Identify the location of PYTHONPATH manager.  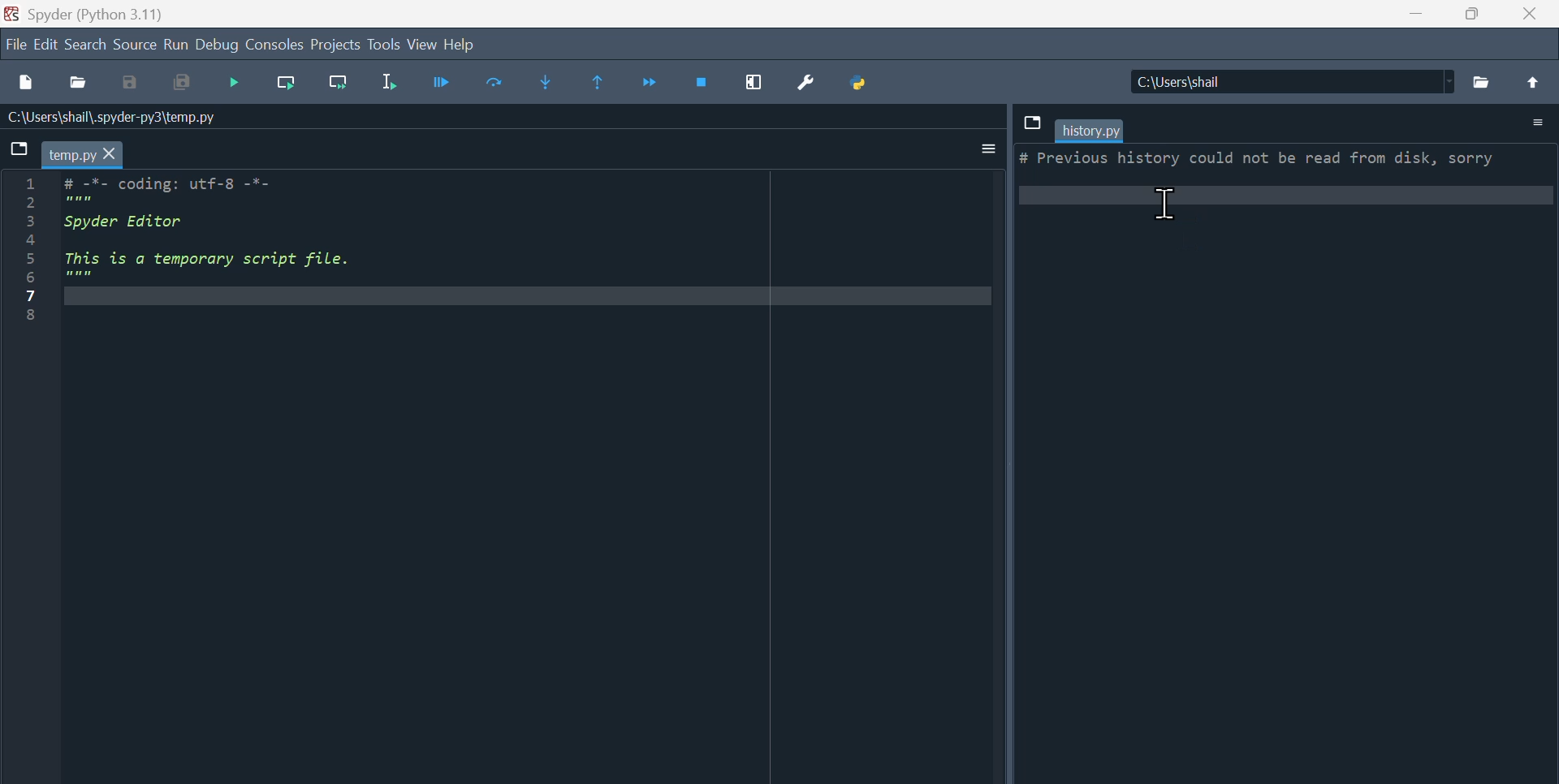
(863, 80).